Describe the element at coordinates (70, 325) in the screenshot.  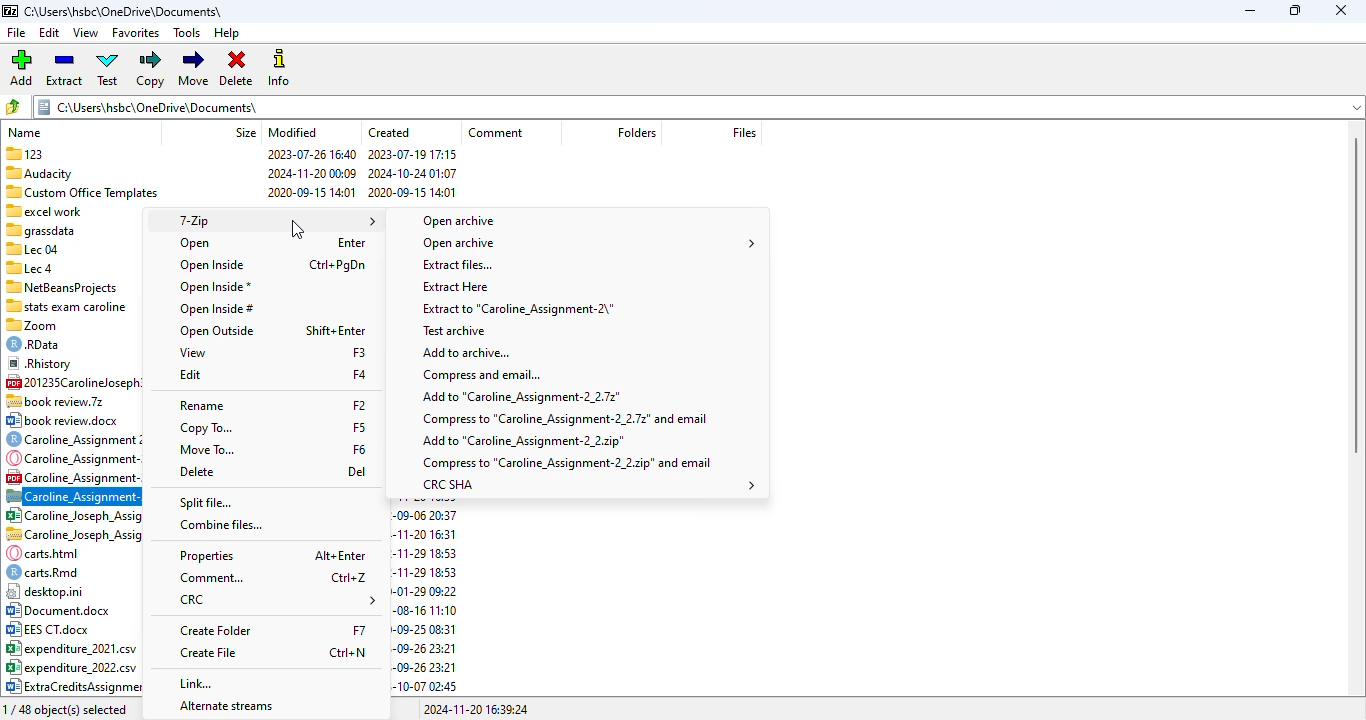
I see `| %0 Zoom 2022-01-20 10:44 2020-10-02 00:42` at that location.